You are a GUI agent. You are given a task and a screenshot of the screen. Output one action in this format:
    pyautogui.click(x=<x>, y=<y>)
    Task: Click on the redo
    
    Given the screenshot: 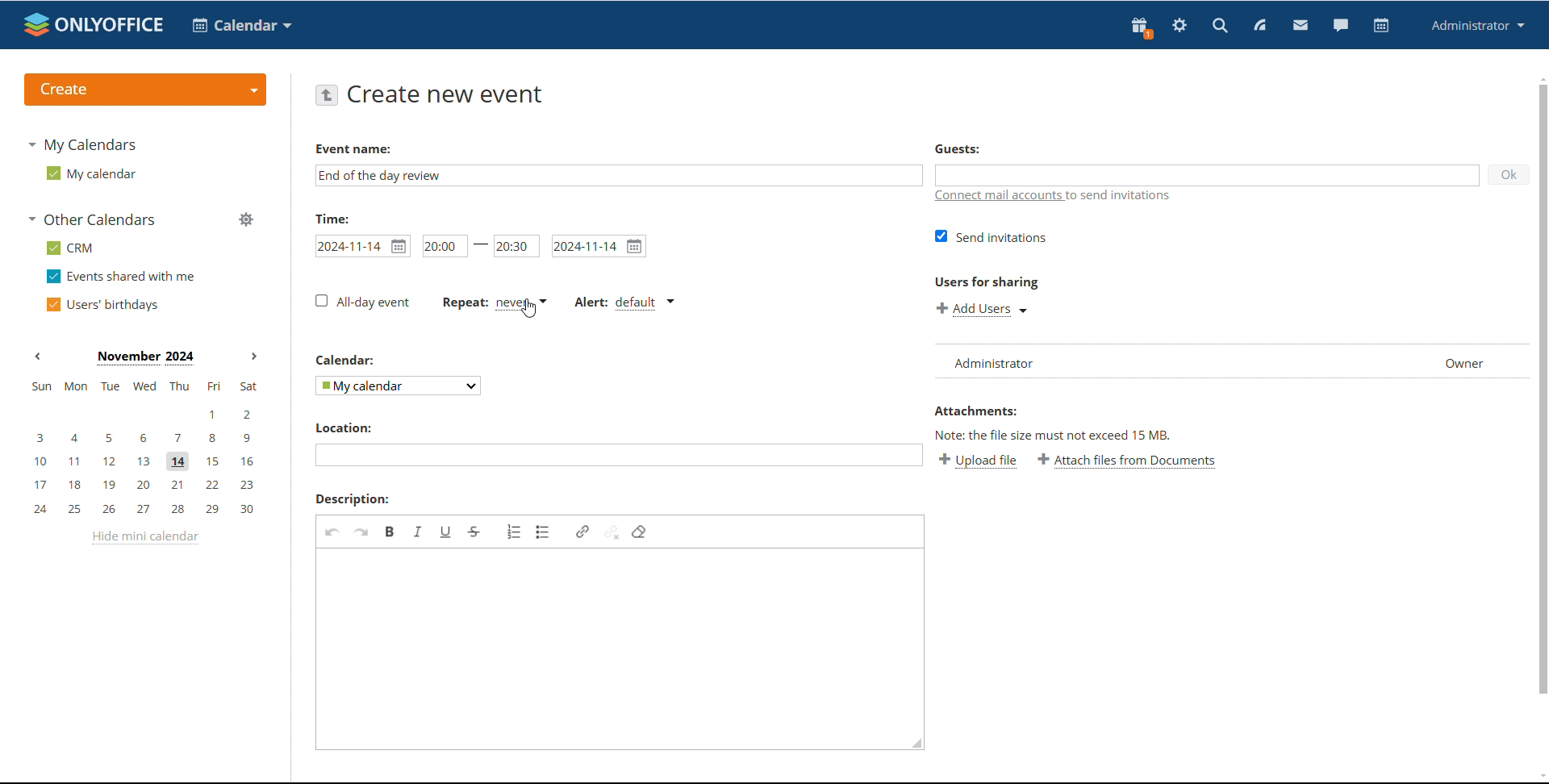 What is the action you would take?
    pyautogui.click(x=361, y=532)
    